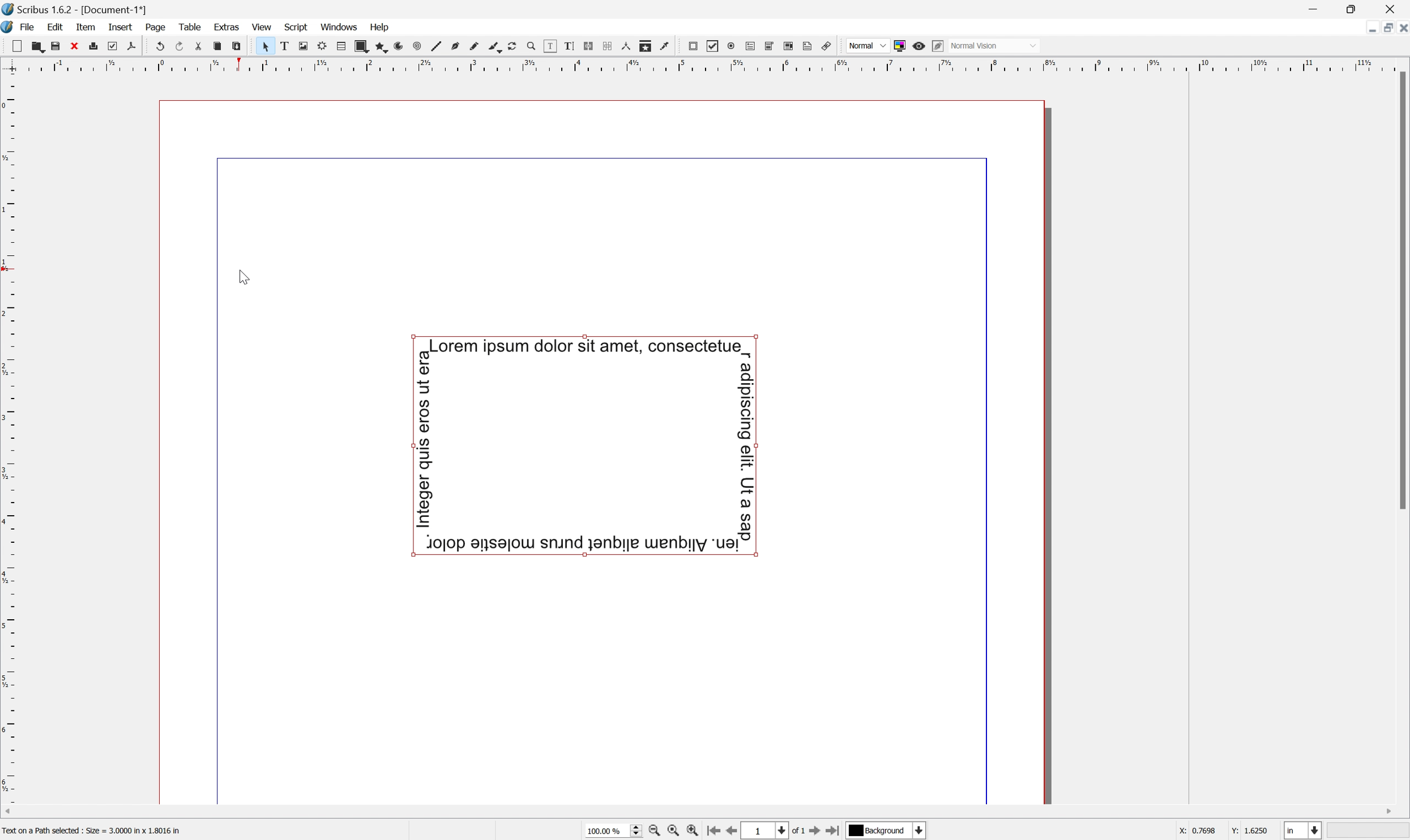 The image size is (1410, 840). I want to click on Link text frames, so click(587, 44).